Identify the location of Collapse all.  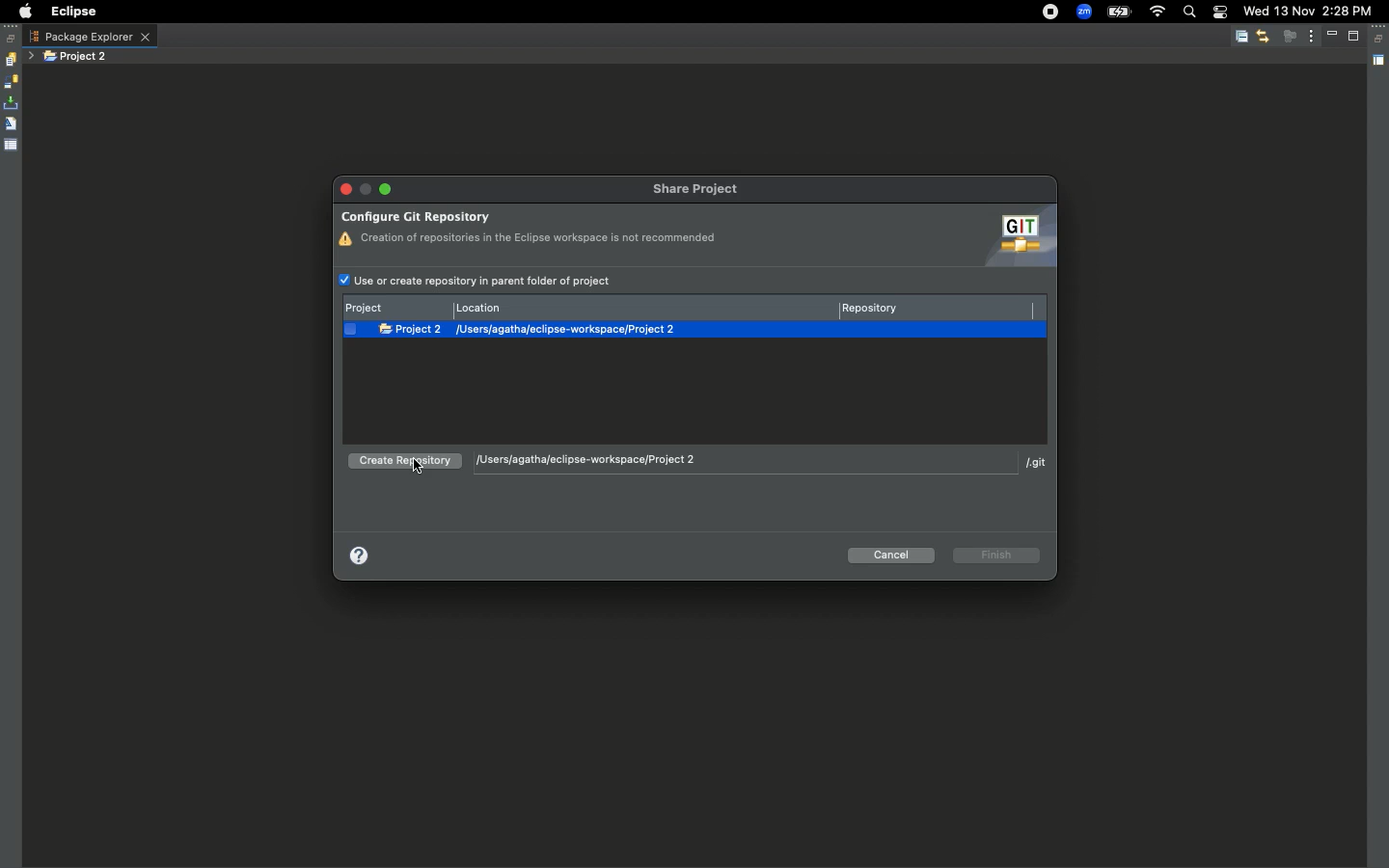
(1241, 38).